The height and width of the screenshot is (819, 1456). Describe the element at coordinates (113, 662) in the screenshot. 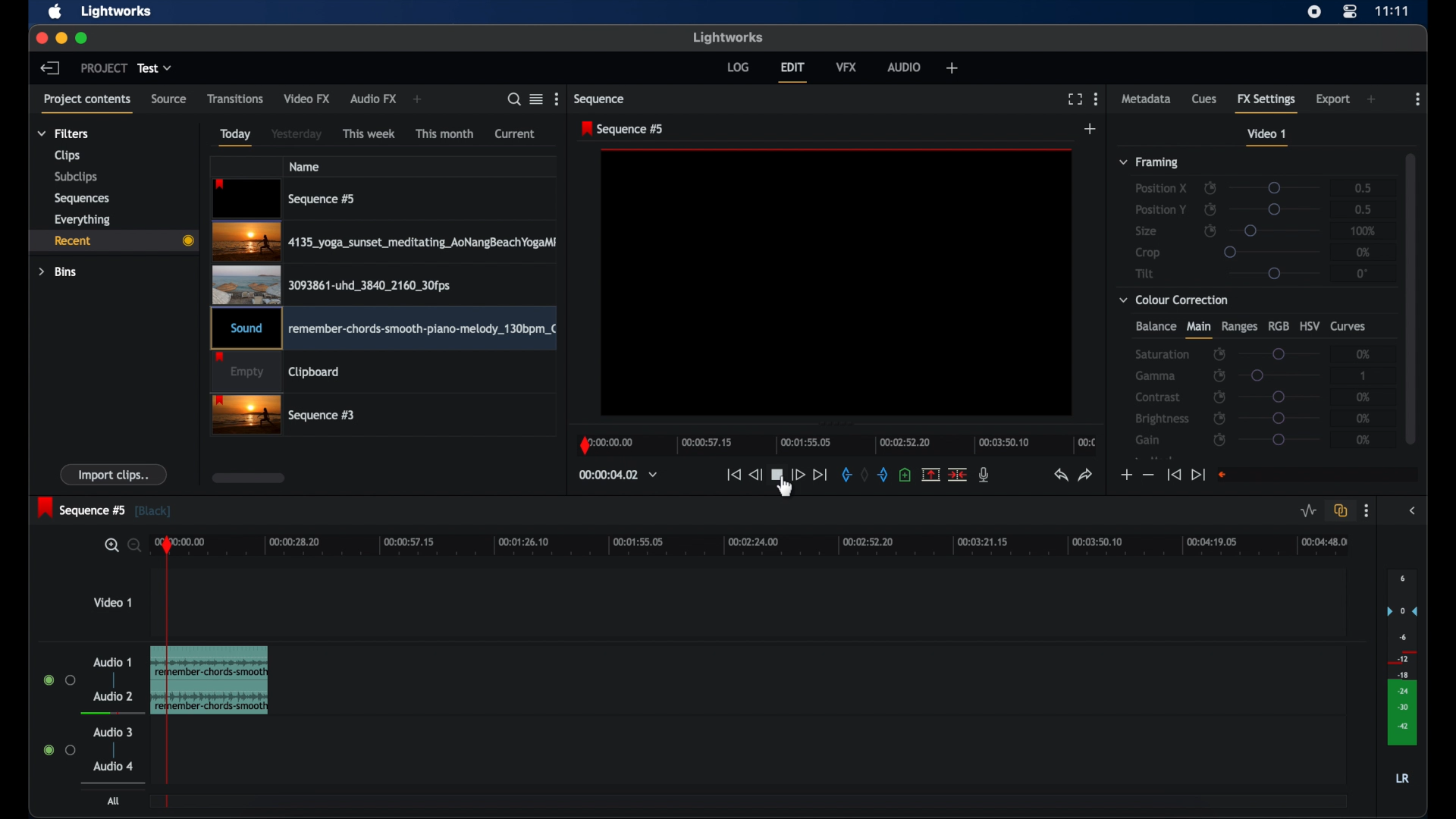

I see `audio 1` at that location.